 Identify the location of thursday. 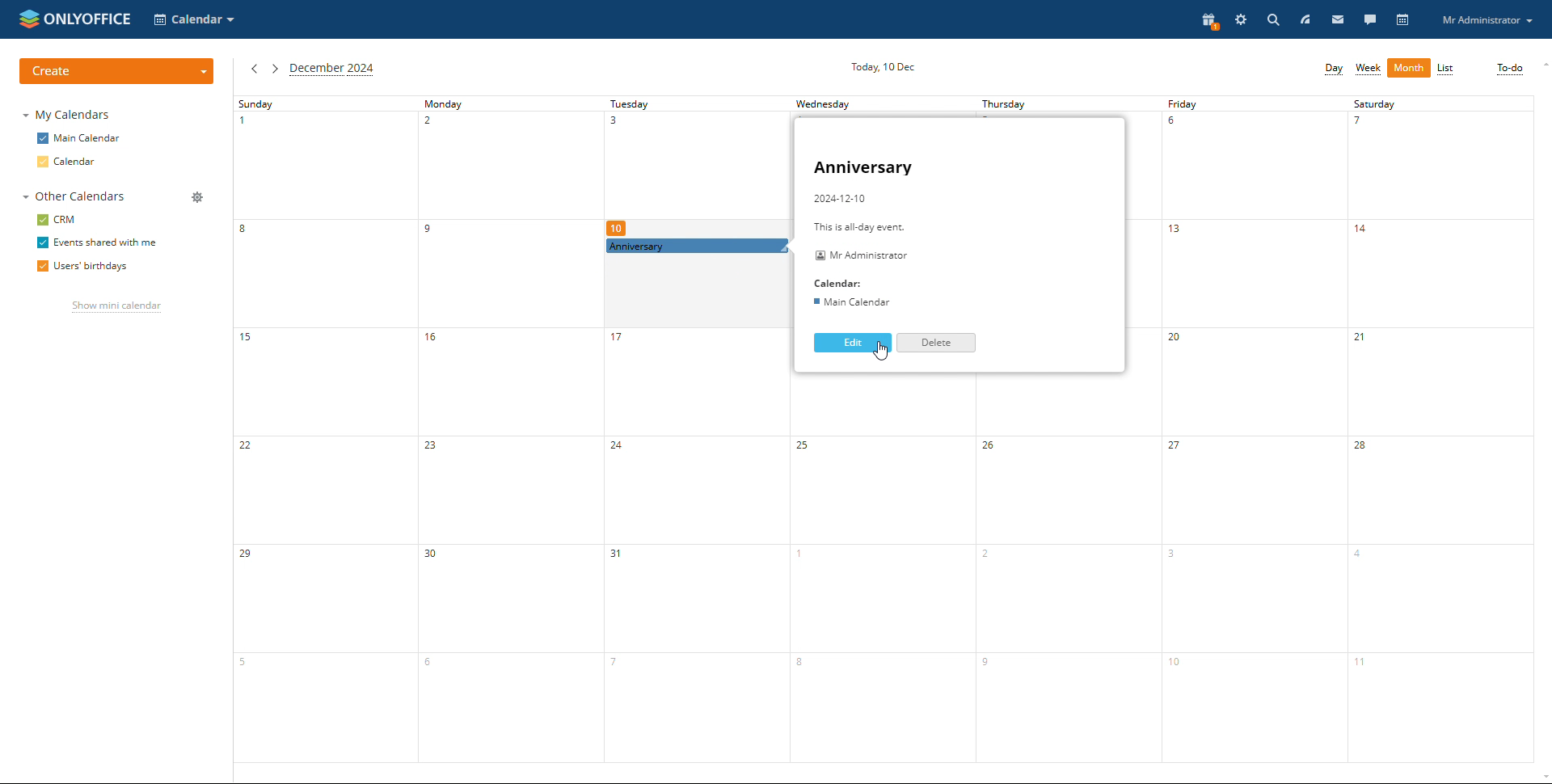
(1060, 104).